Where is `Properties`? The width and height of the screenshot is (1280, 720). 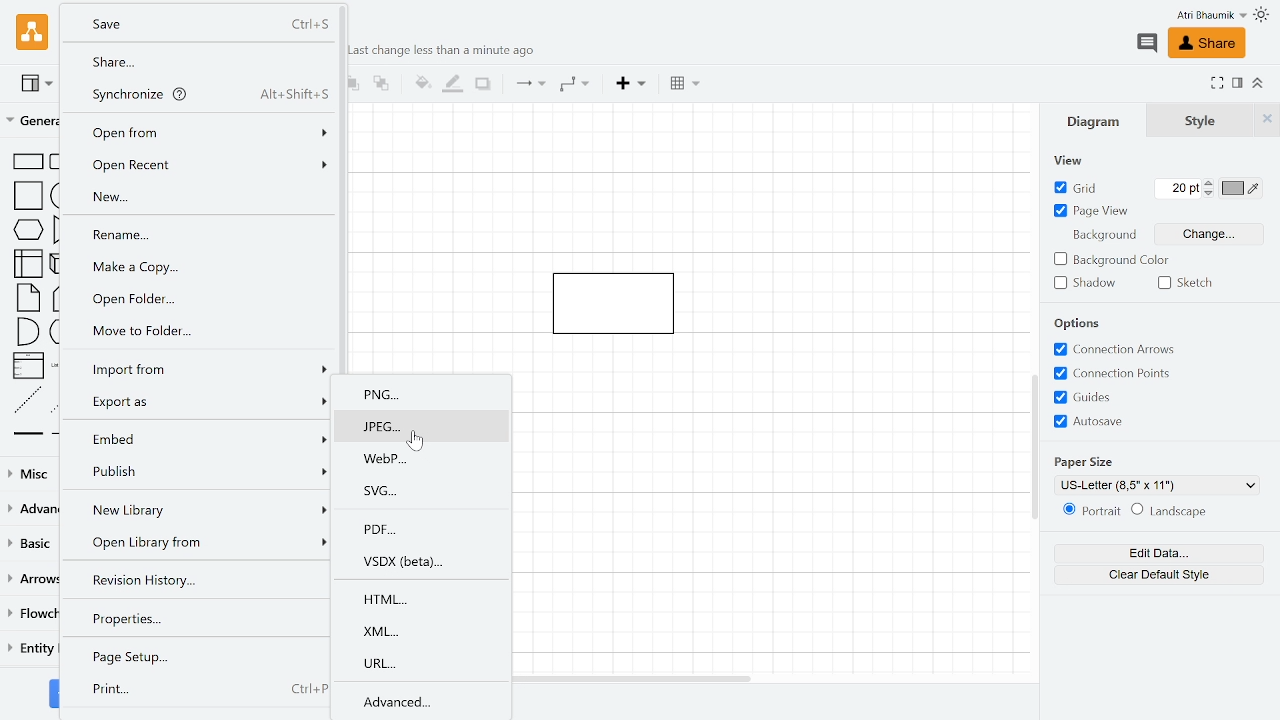 Properties is located at coordinates (200, 618).